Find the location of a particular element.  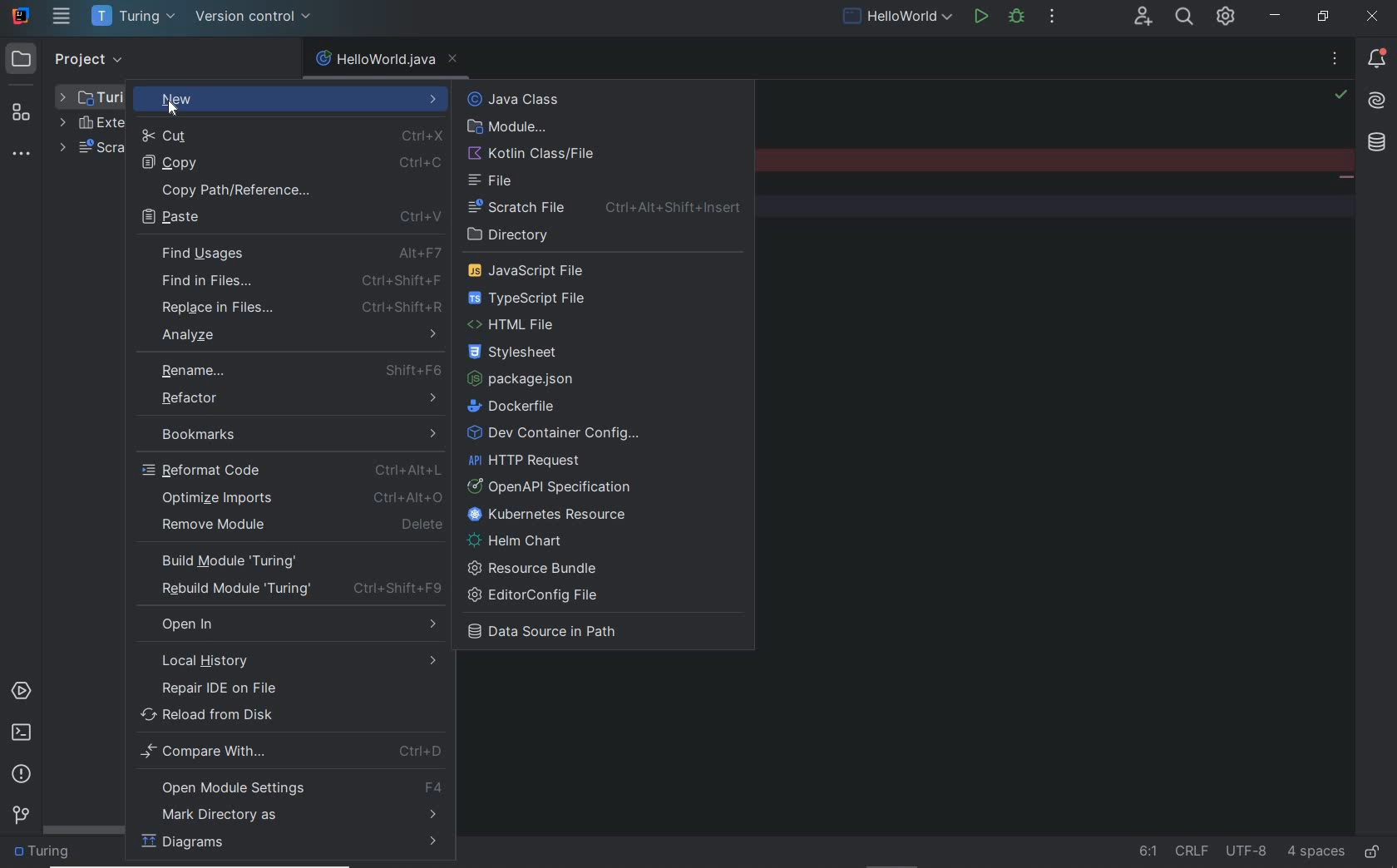

bookmarks is located at coordinates (290, 431).